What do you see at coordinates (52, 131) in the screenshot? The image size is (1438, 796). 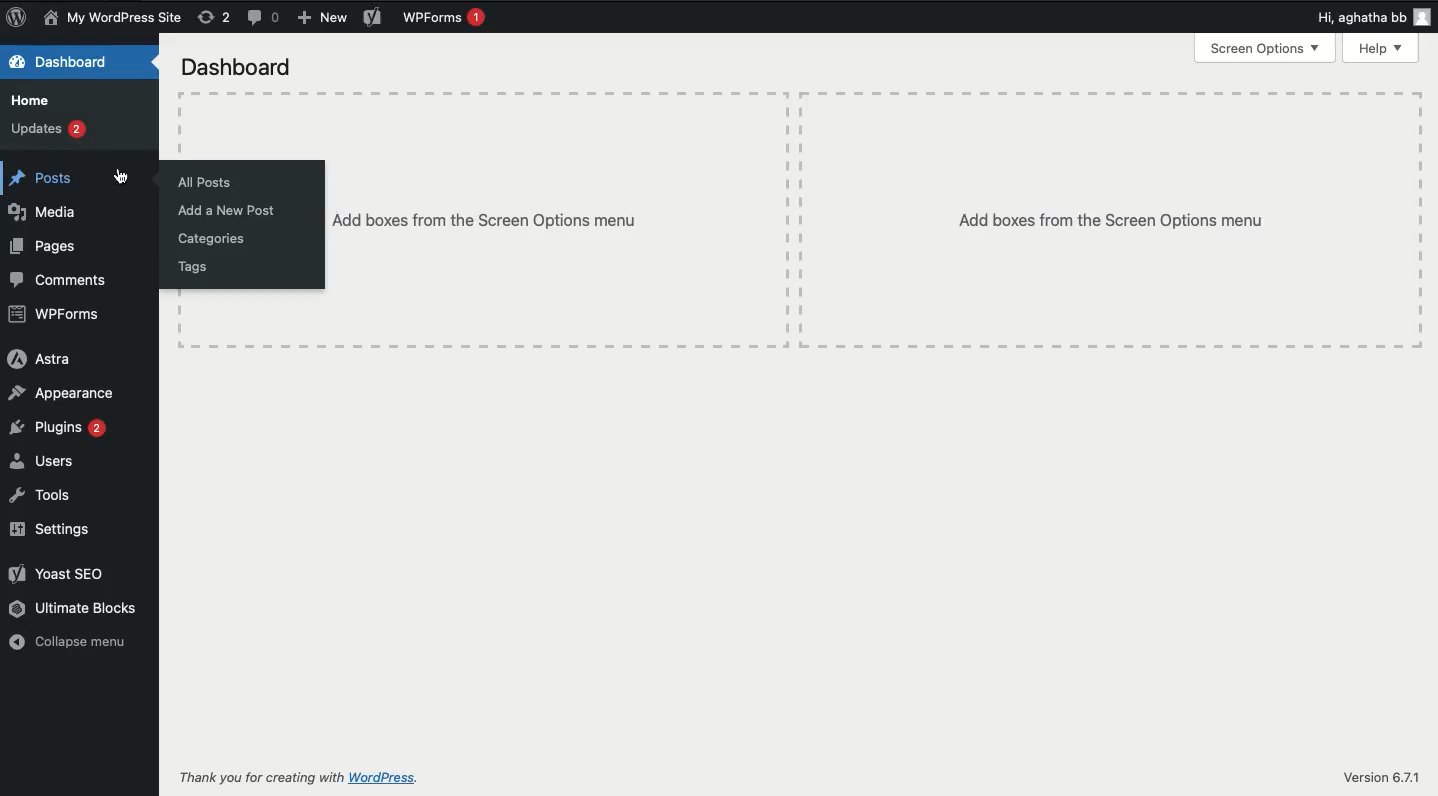 I see `Updates` at bounding box center [52, 131].